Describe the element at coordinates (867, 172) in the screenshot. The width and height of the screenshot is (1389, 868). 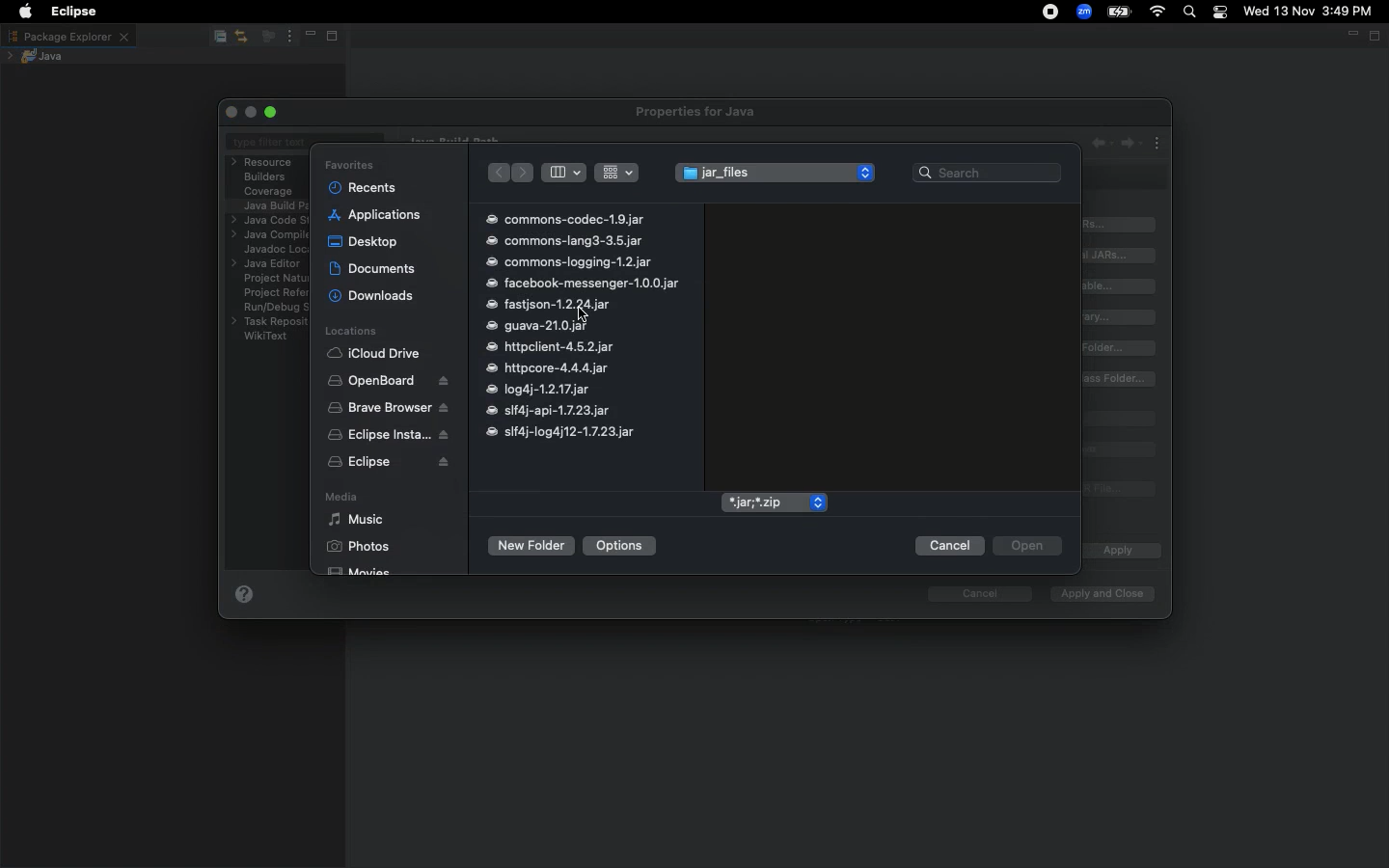
I see `increase/decrease arrows` at that location.